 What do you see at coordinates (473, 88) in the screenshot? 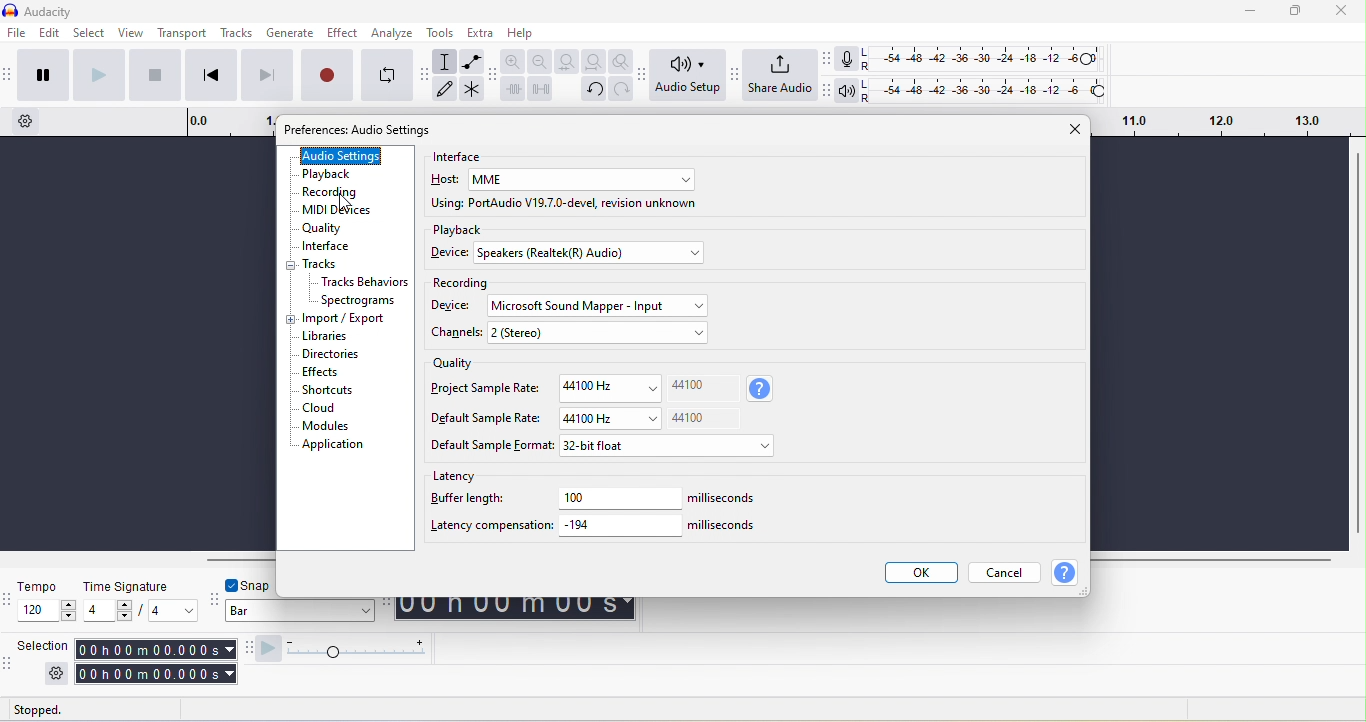
I see `multi tool` at bounding box center [473, 88].